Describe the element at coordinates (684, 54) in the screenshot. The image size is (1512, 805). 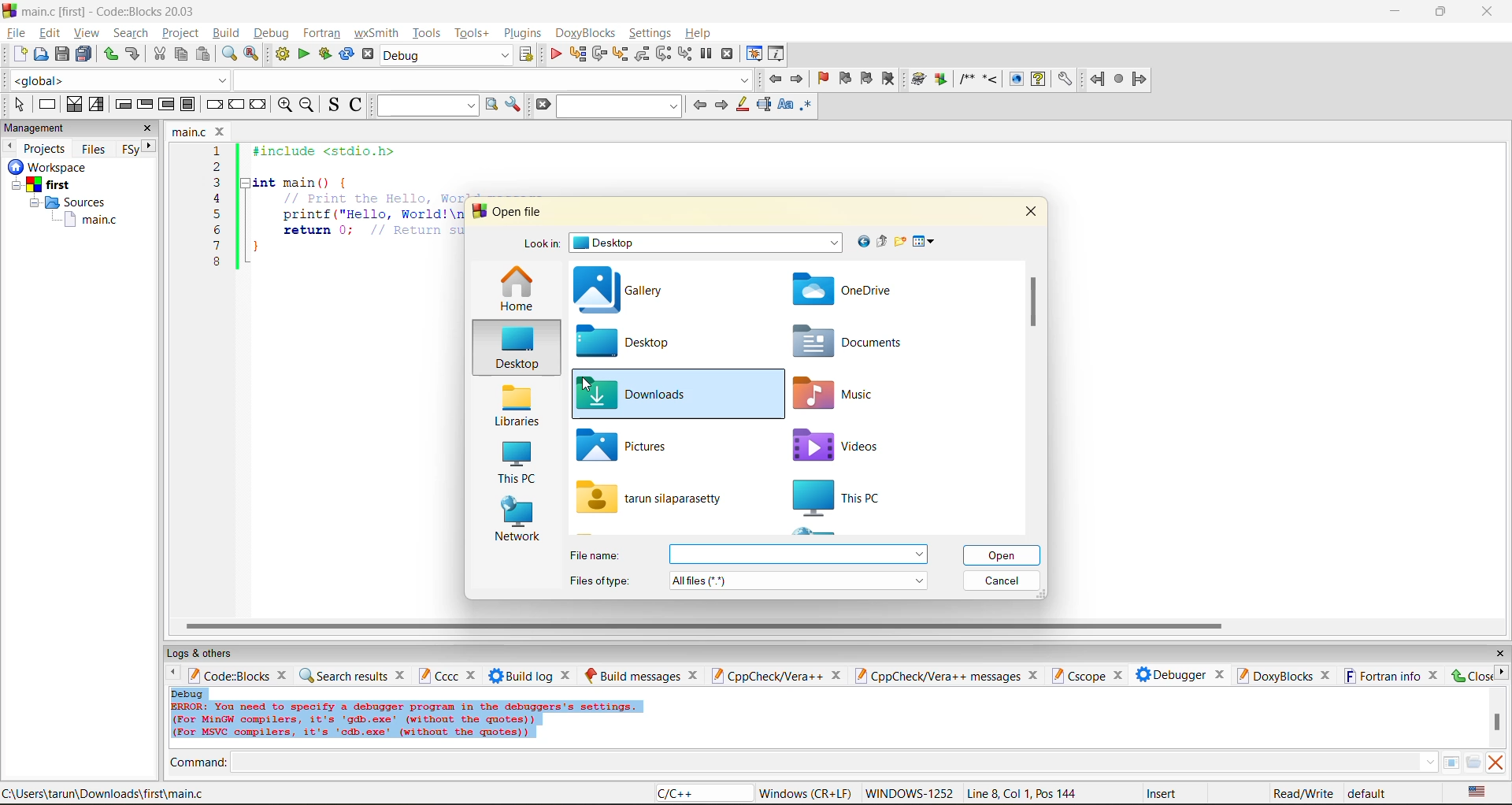
I see `step into instruction` at that location.